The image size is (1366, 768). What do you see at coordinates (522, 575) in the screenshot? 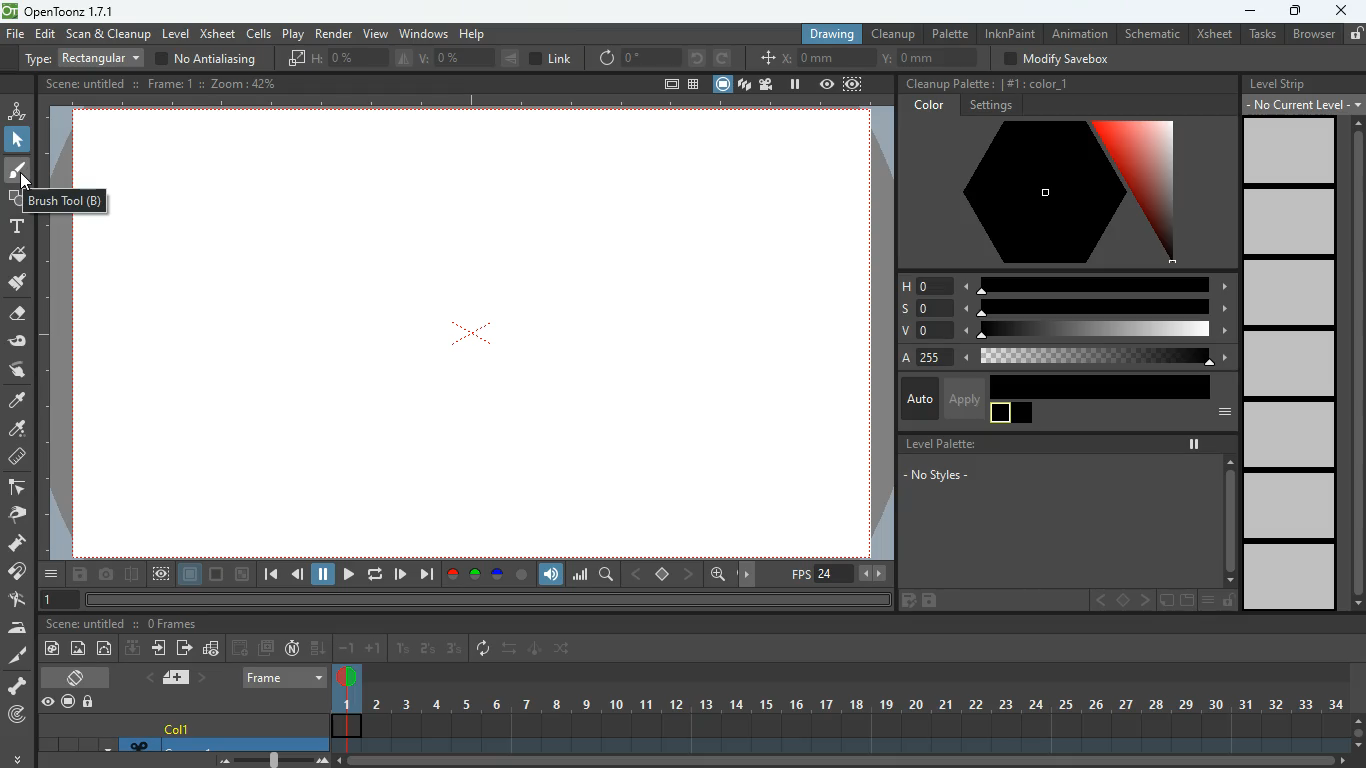
I see `color` at bounding box center [522, 575].